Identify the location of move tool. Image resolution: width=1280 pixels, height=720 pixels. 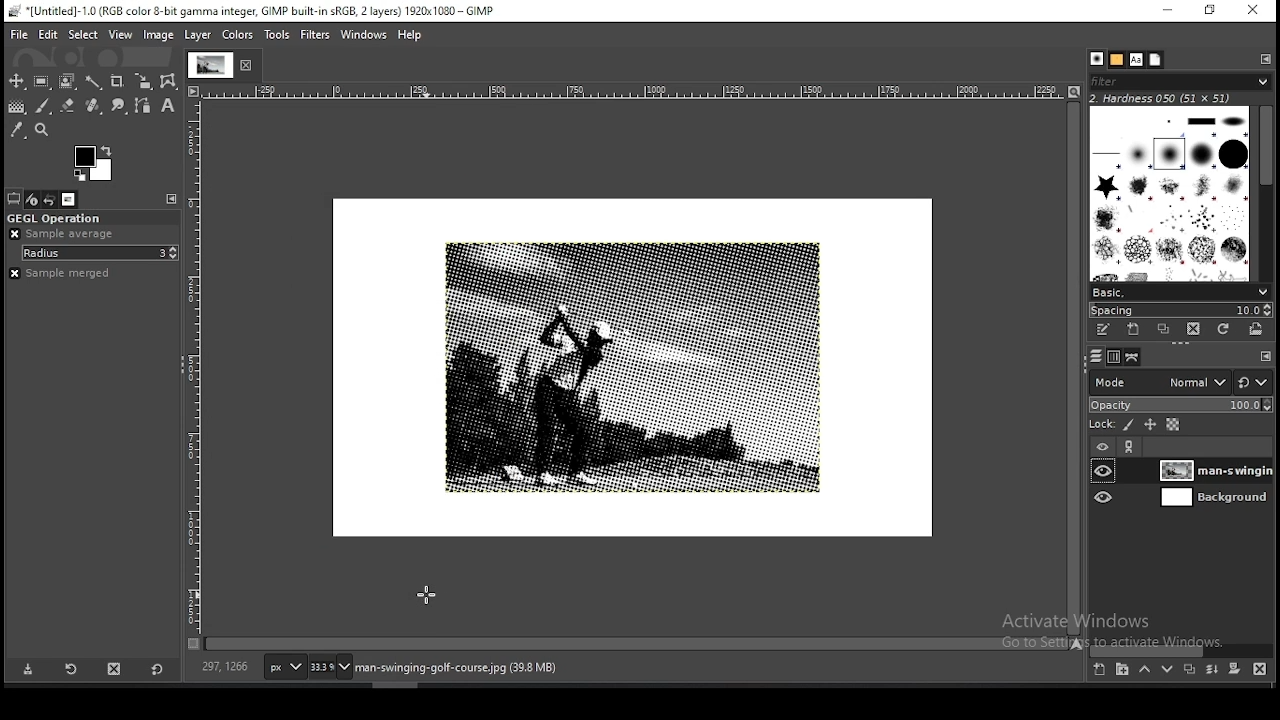
(16, 81).